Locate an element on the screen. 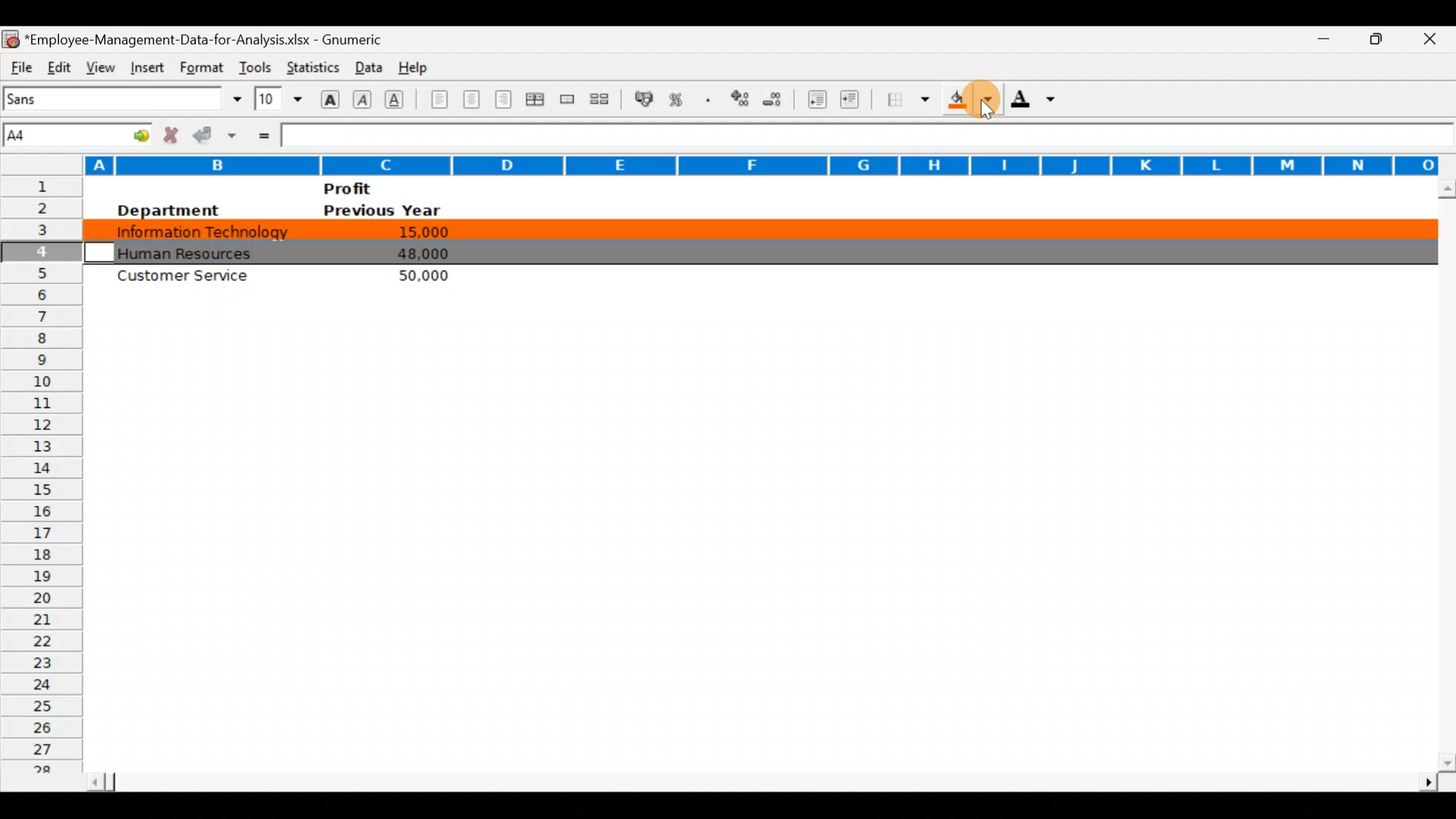  Help is located at coordinates (414, 64).